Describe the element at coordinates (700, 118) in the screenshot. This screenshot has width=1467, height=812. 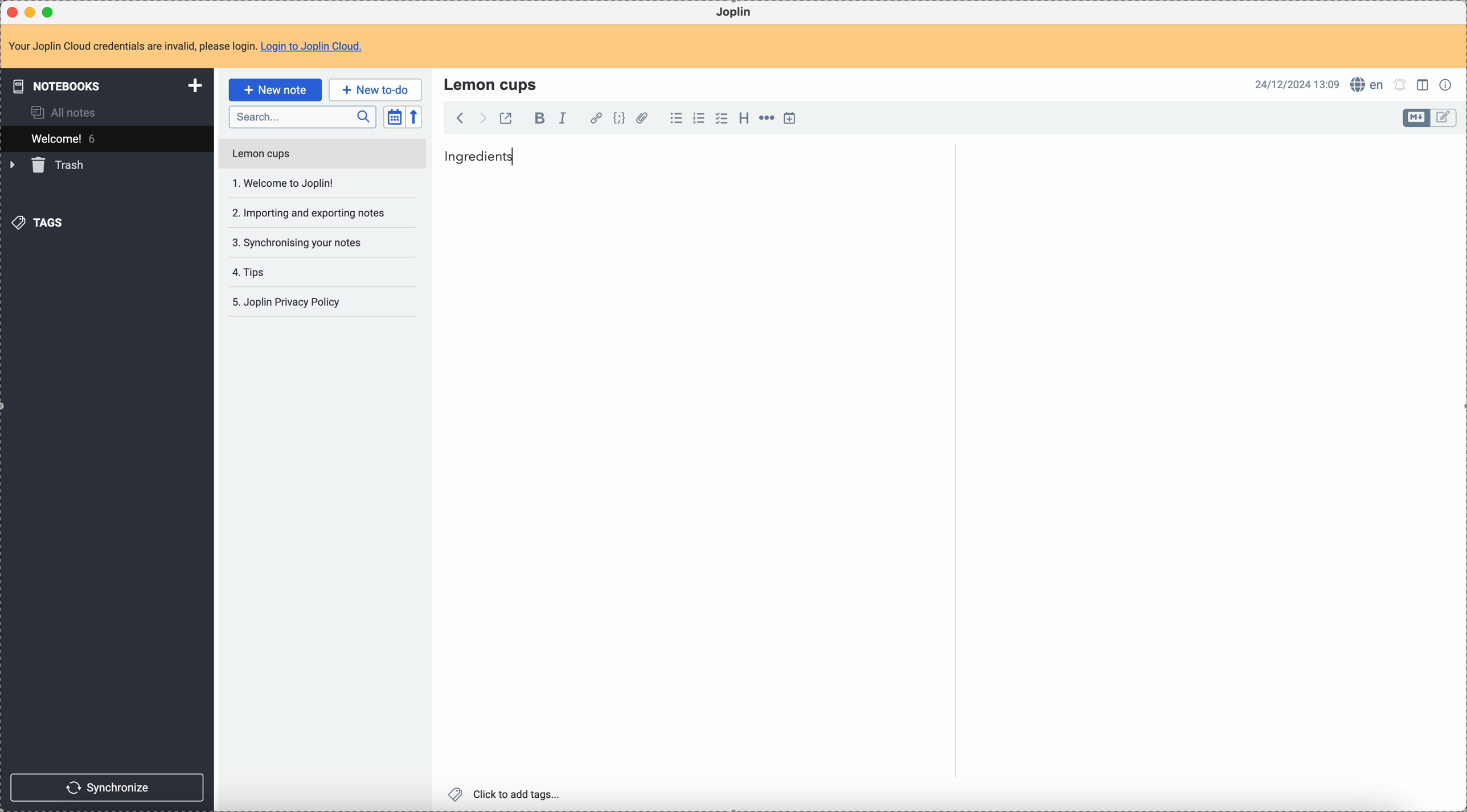
I see `numbered list` at that location.